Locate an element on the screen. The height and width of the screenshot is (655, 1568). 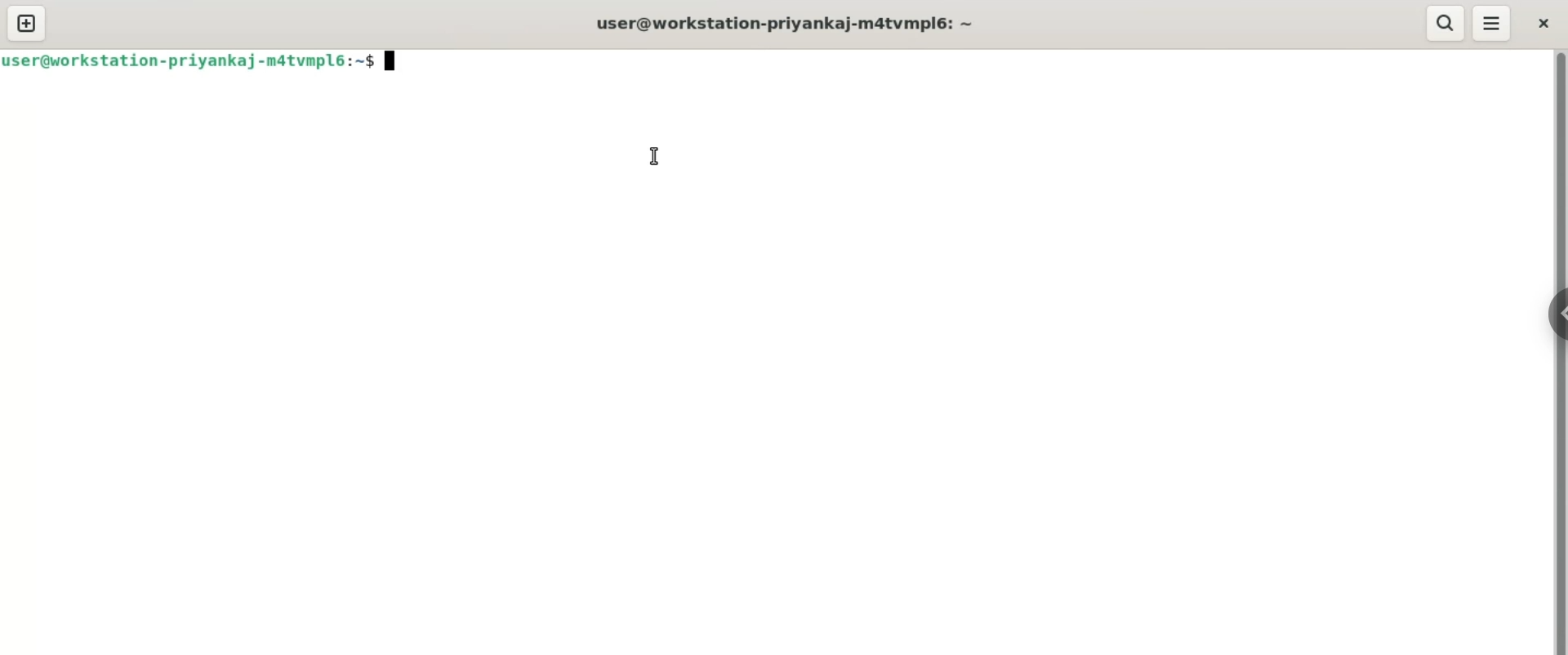
search is located at coordinates (1444, 24).